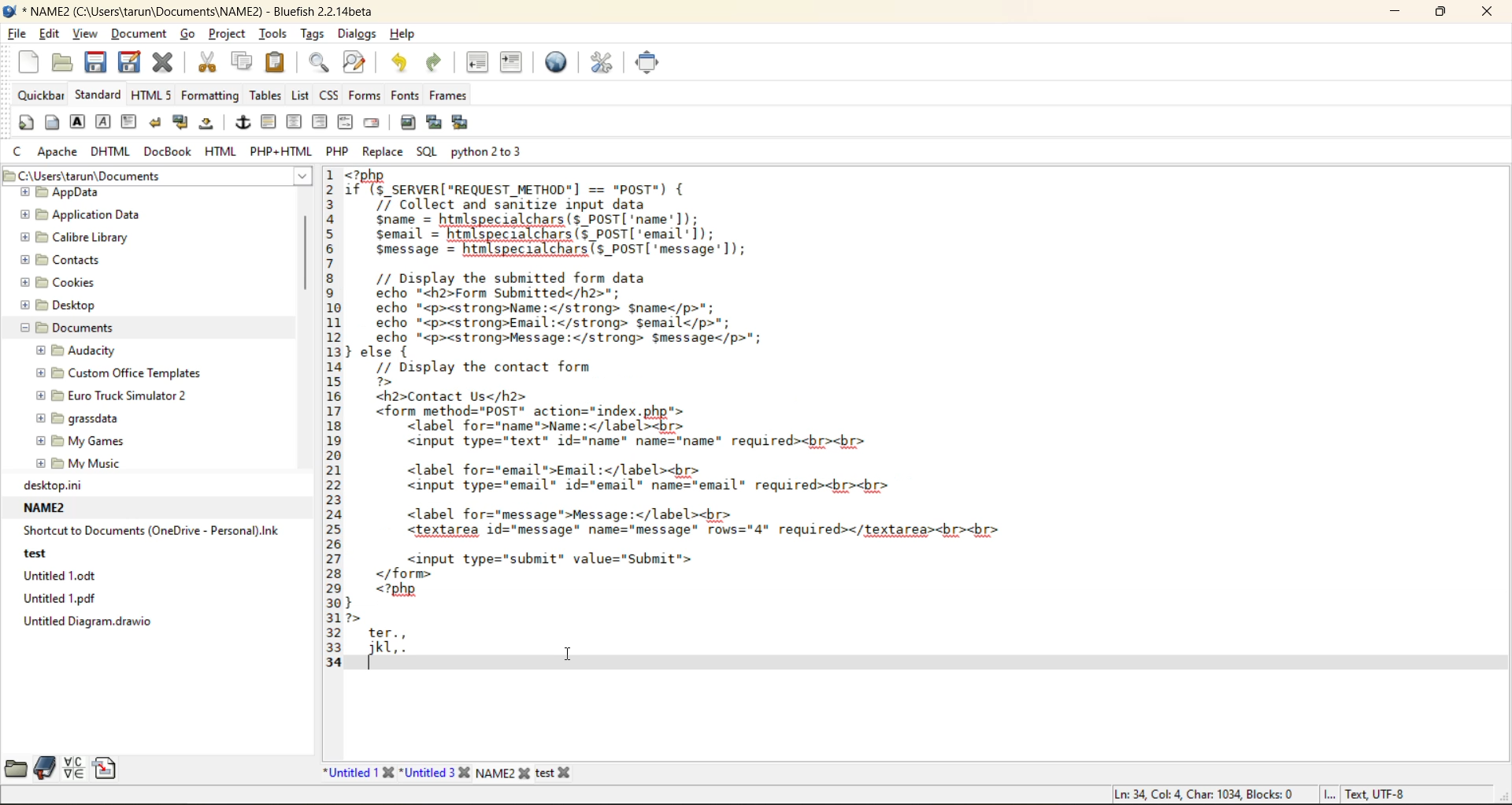 This screenshot has width=1512, height=805. I want to click on go, so click(187, 33).